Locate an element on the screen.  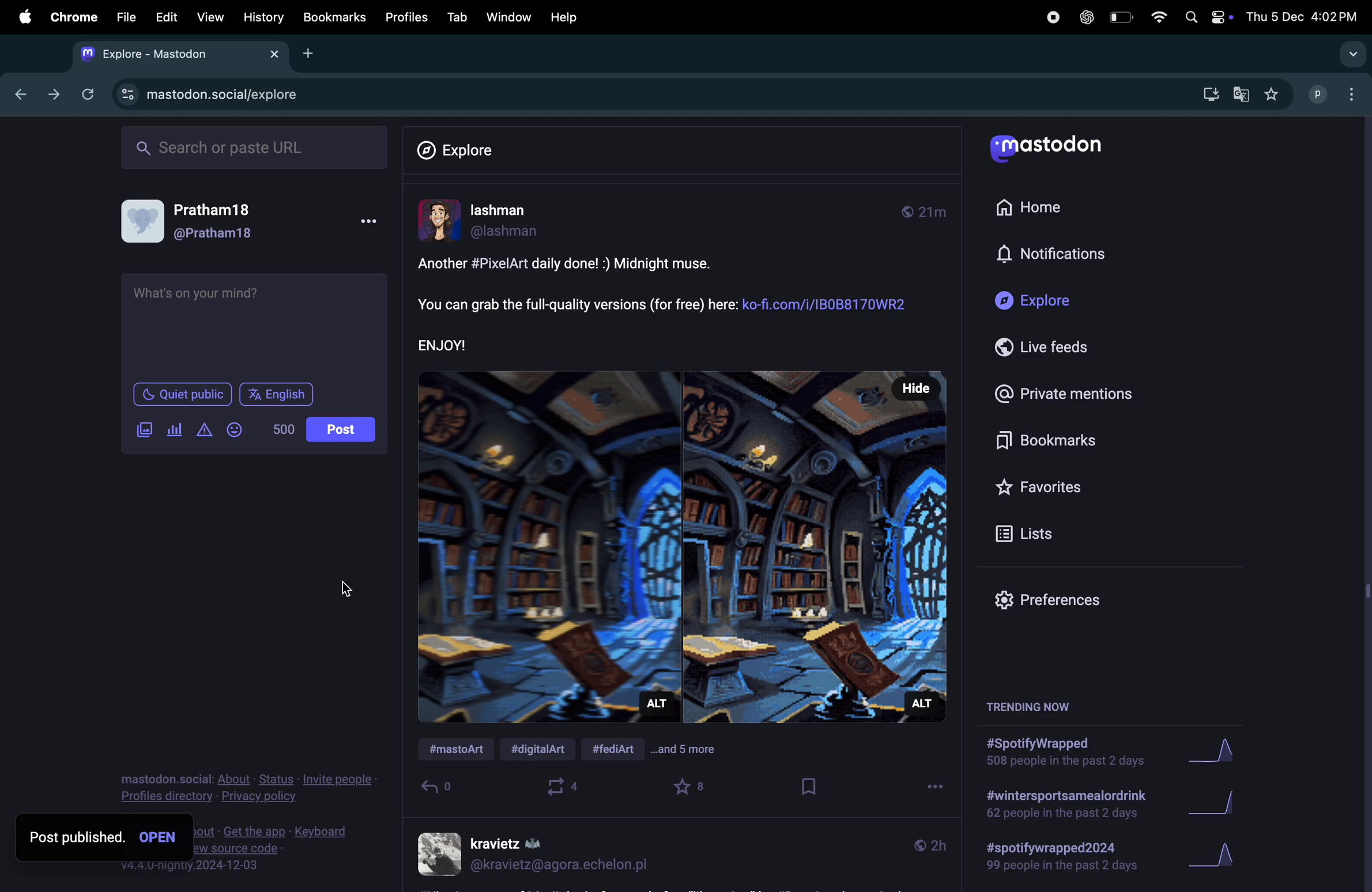
poll is located at coordinates (174, 429).